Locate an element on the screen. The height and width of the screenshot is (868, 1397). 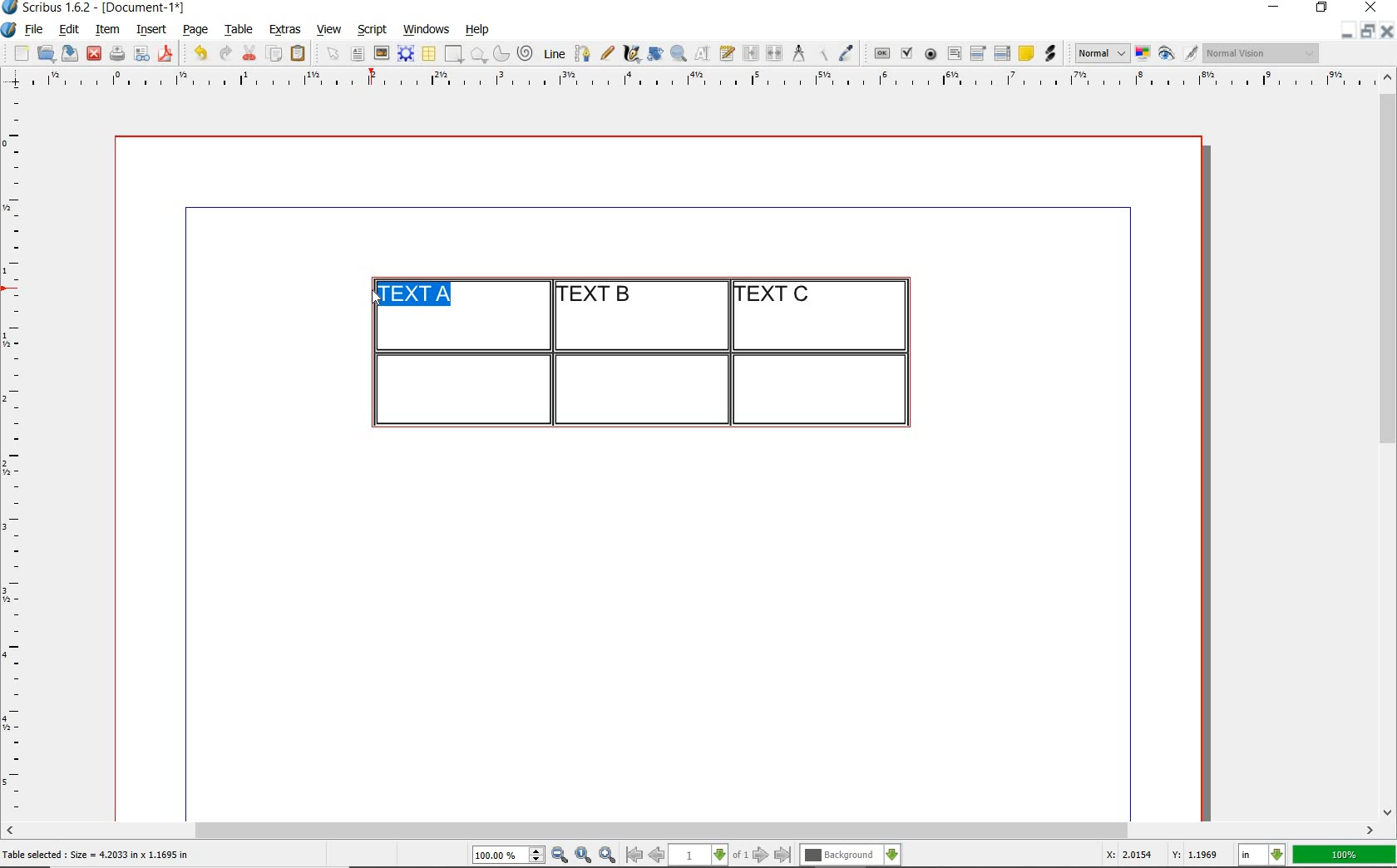
pdf radio button is located at coordinates (931, 56).